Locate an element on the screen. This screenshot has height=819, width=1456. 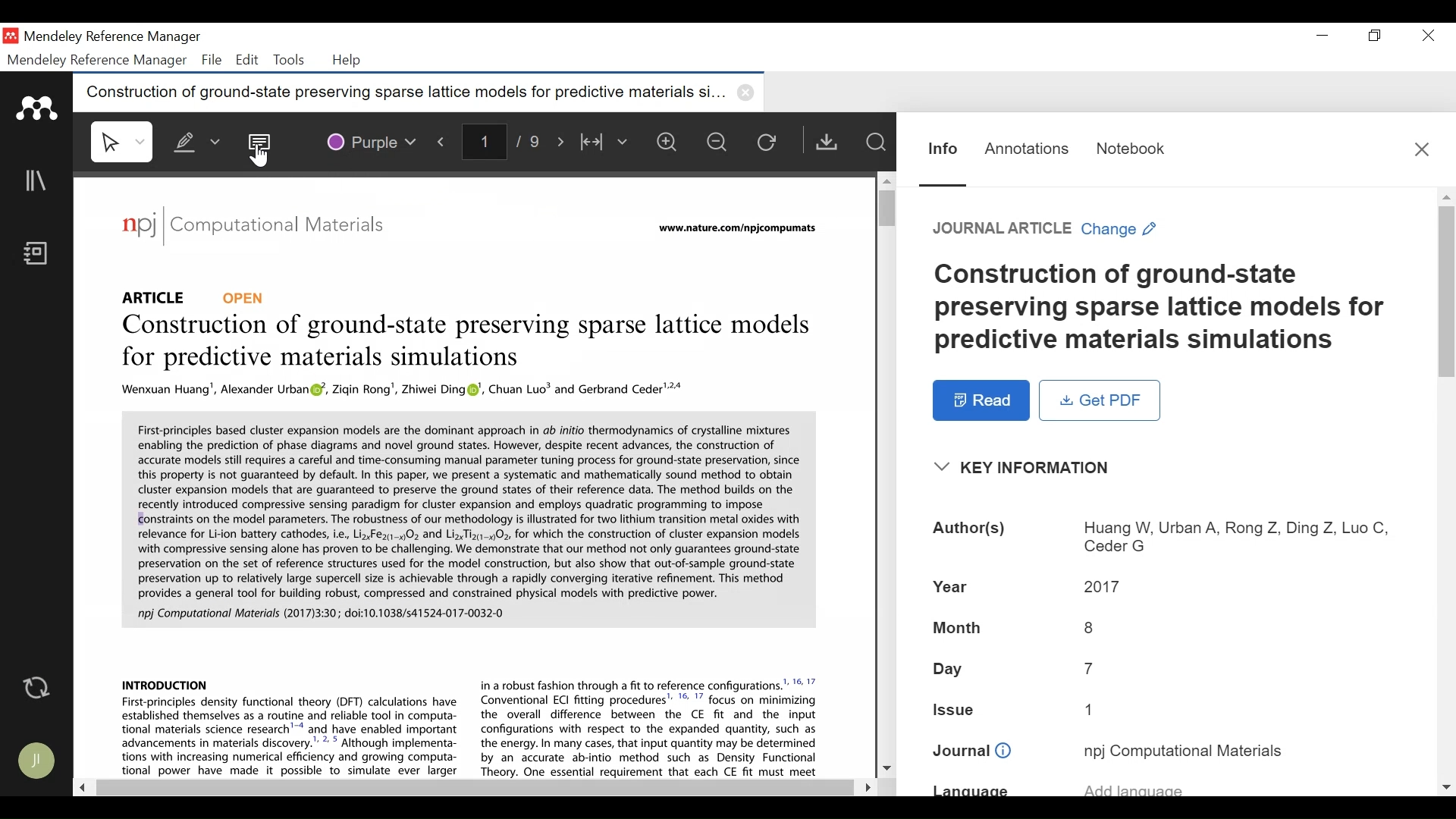
Mendeley Reference Manager is located at coordinates (97, 61).